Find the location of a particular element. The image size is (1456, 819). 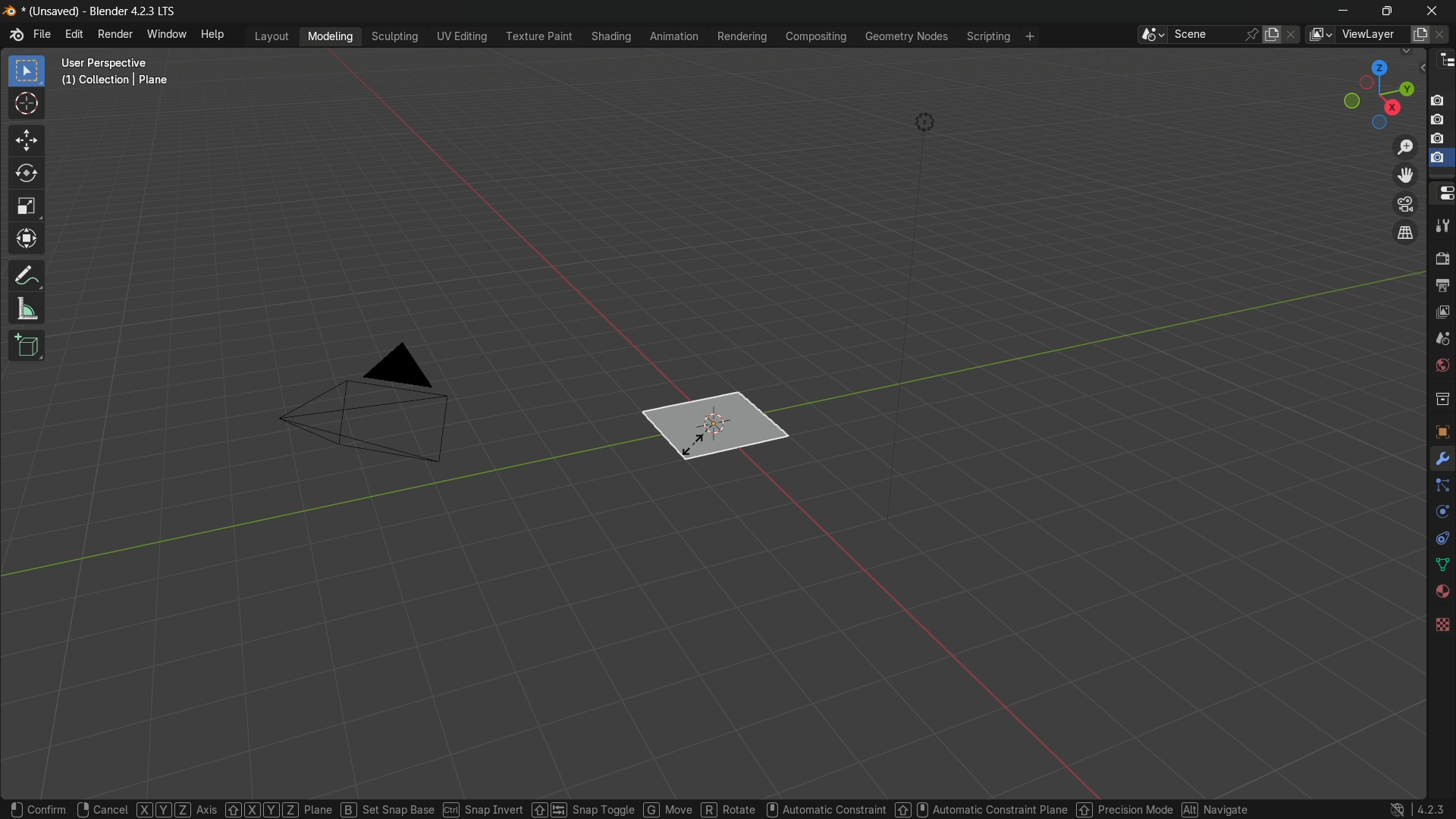

move is located at coordinates (29, 141).